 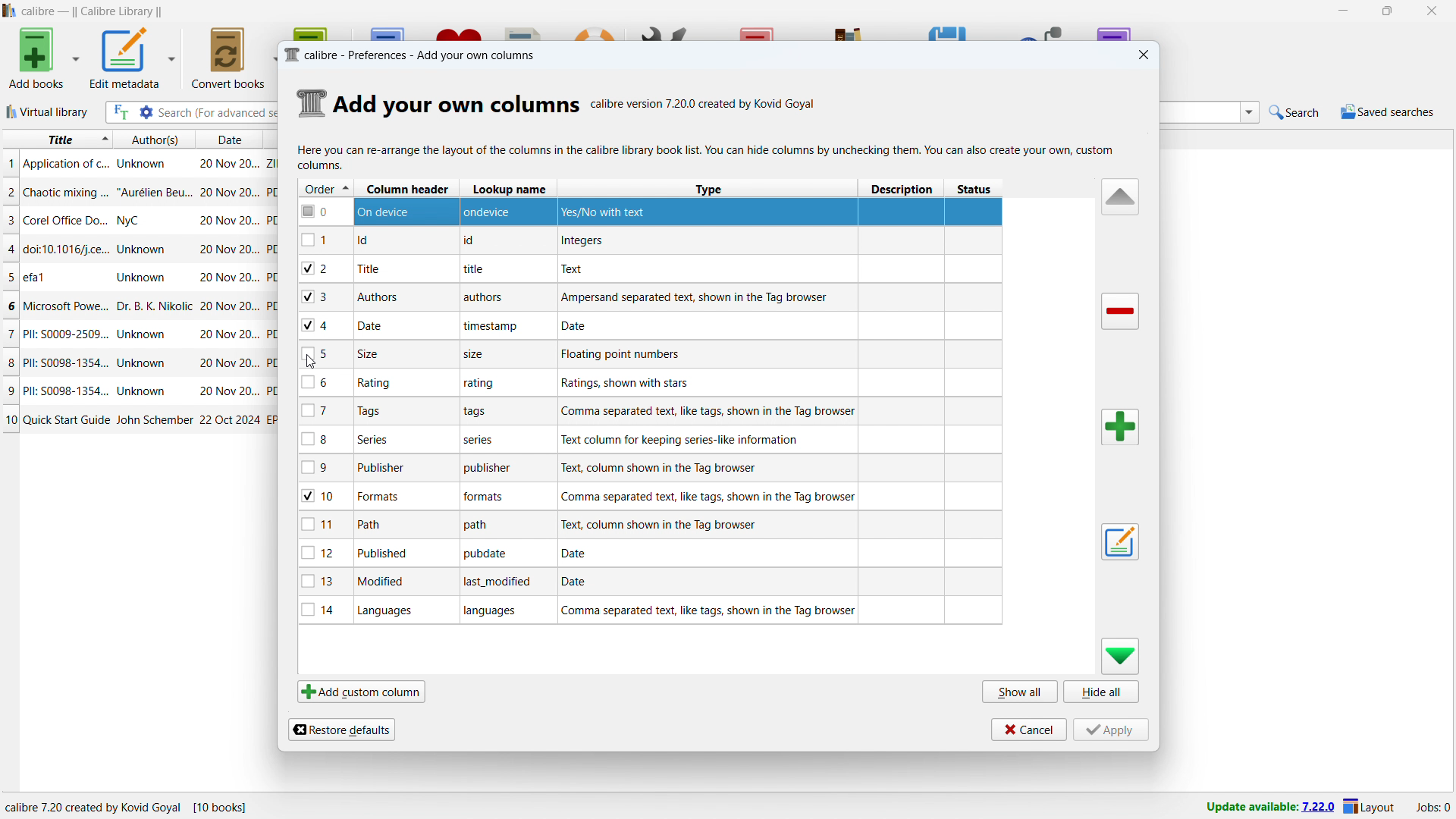 I want to click on date, so click(x=230, y=308).